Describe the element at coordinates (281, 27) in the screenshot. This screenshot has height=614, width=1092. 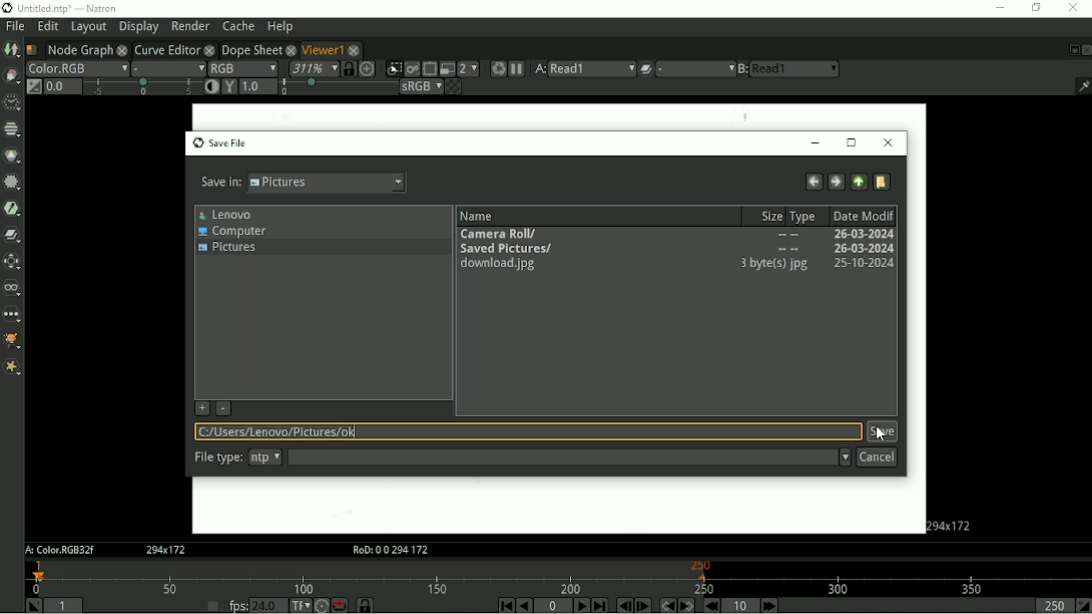
I see `Help` at that location.